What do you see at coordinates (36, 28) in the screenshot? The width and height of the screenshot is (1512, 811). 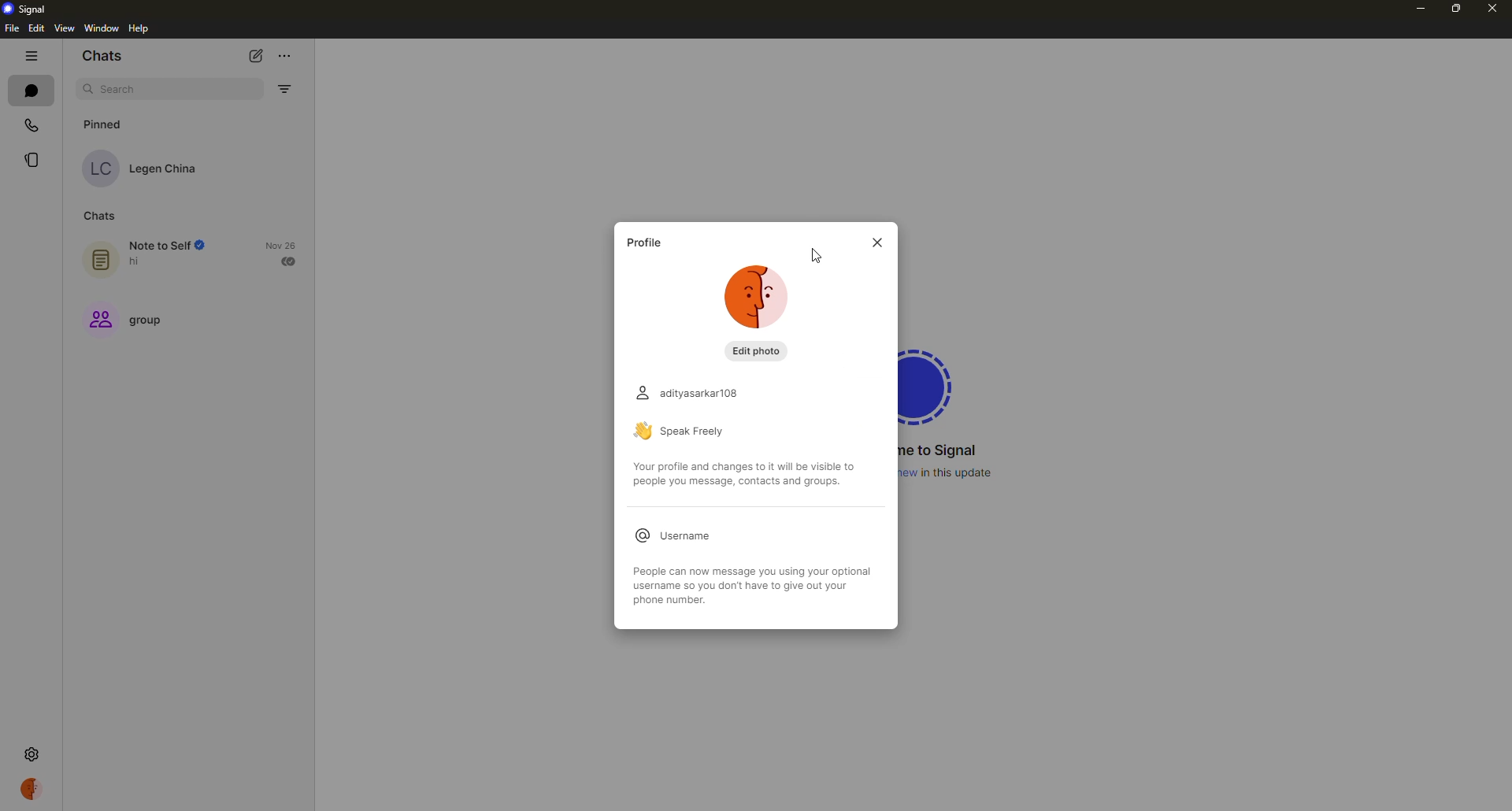 I see `edit` at bounding box center [36, 28].